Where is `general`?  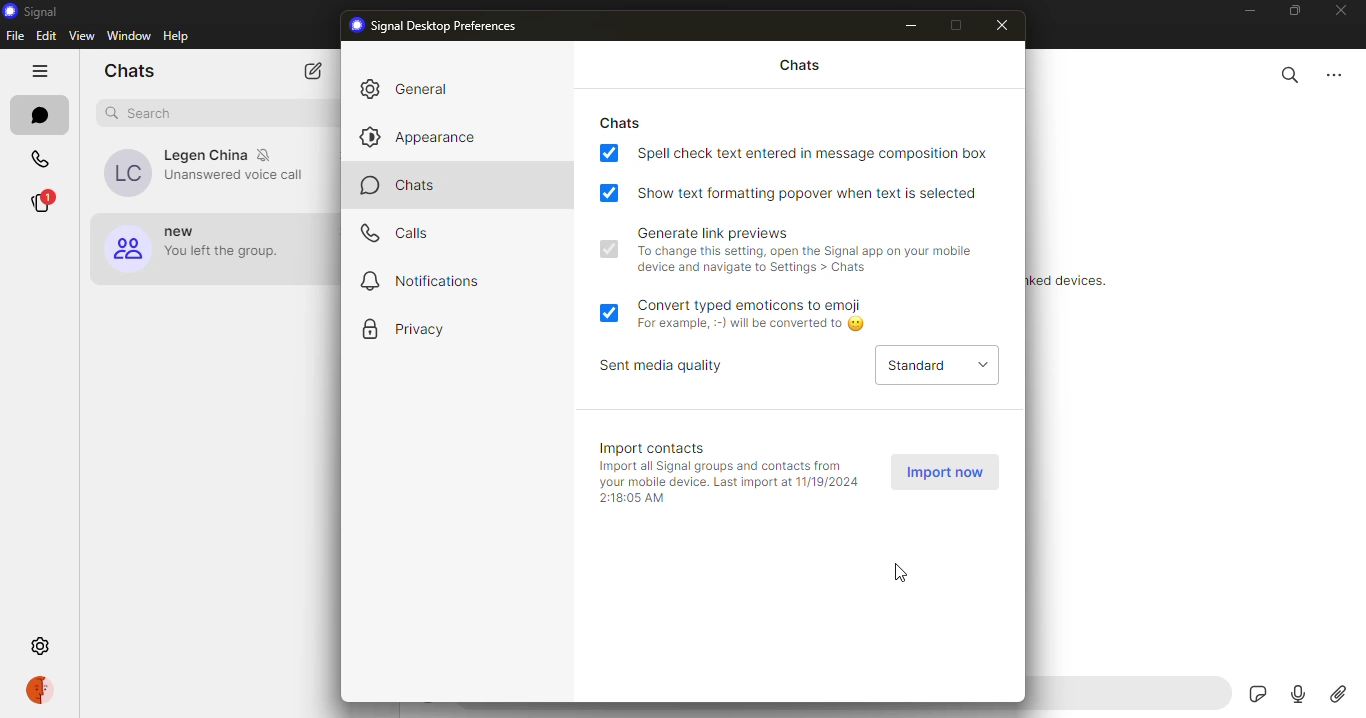 general is located at coordinates (428, 88).